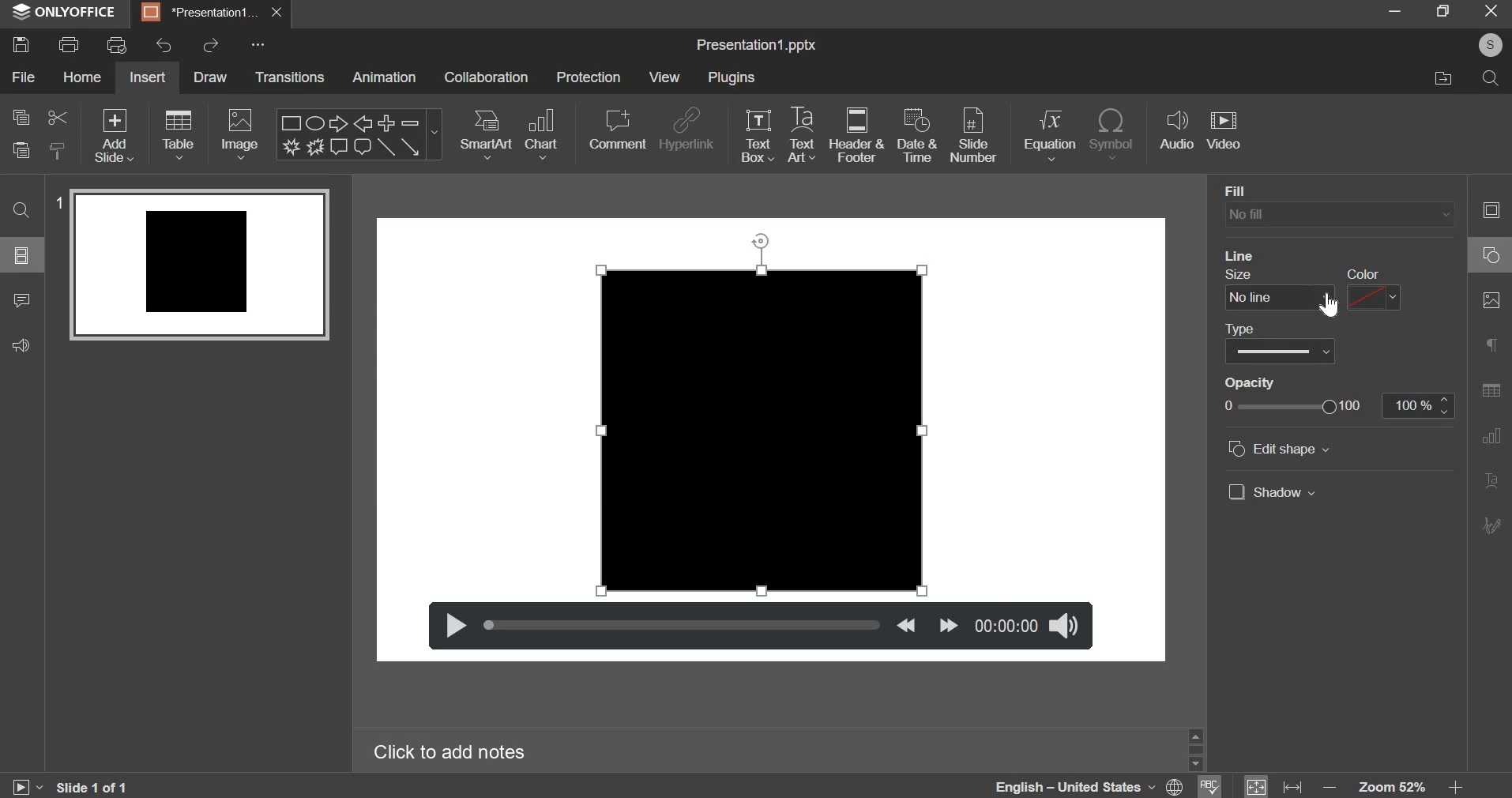 Image resolution: width=1512 pixels, height=798 pixels. Describe the element at coordinates (905, 624) in the screenshot. I see `move back` at that location.